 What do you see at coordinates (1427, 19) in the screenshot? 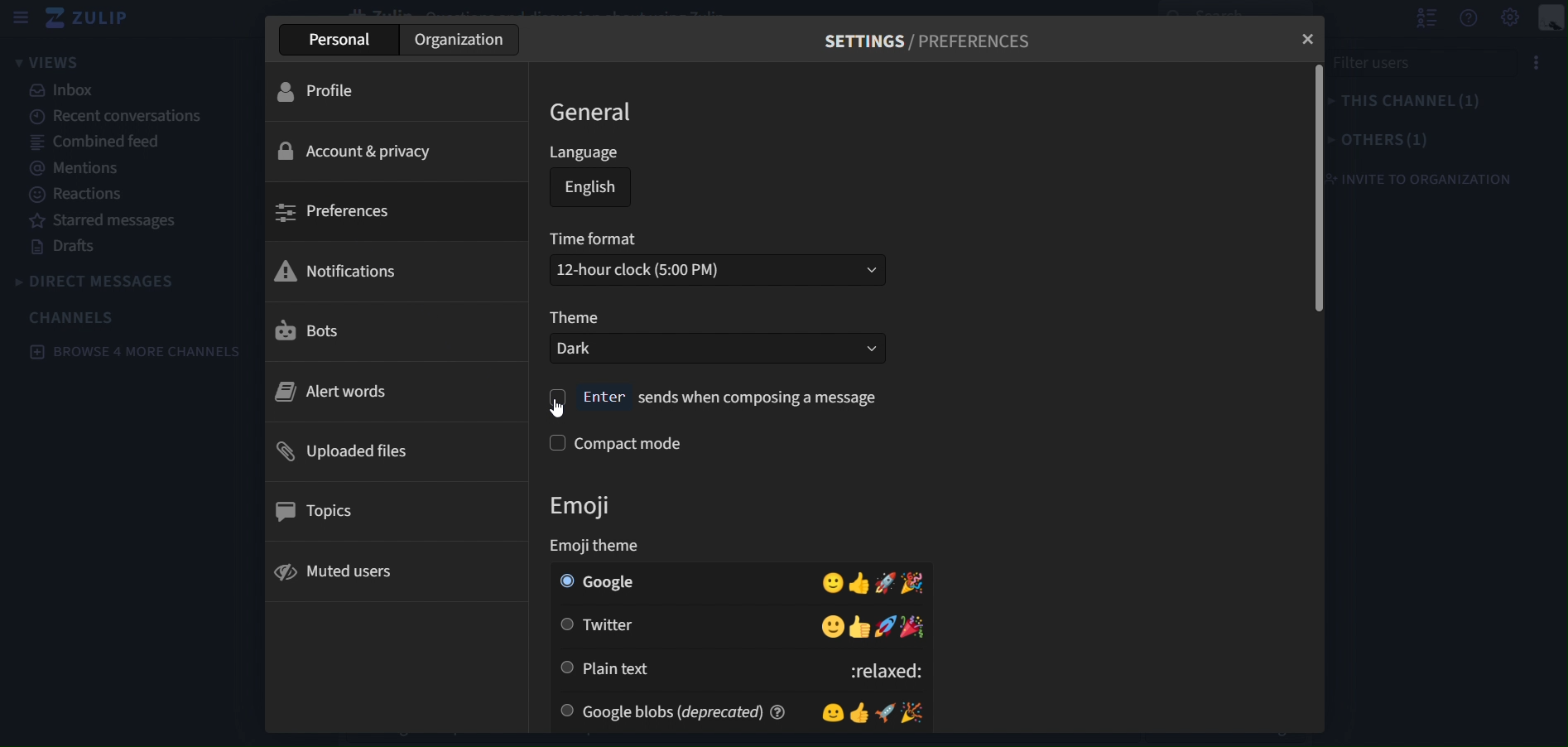
I see `hide user list` at bounding box center [1427, 19].